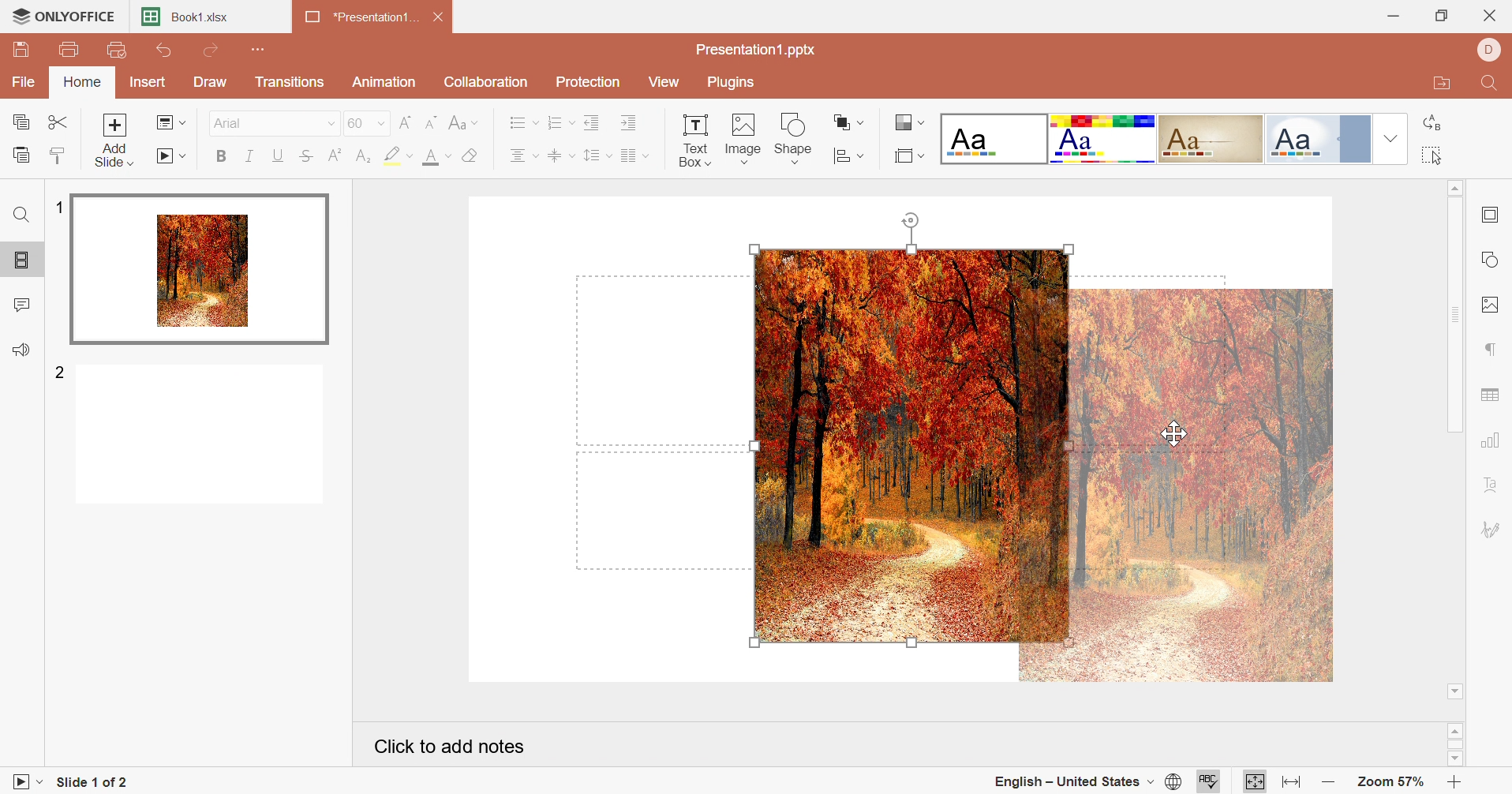 The height and width of the screenshot is (794, 1512). I want to click on Decrease Indent, so click(594, 124).